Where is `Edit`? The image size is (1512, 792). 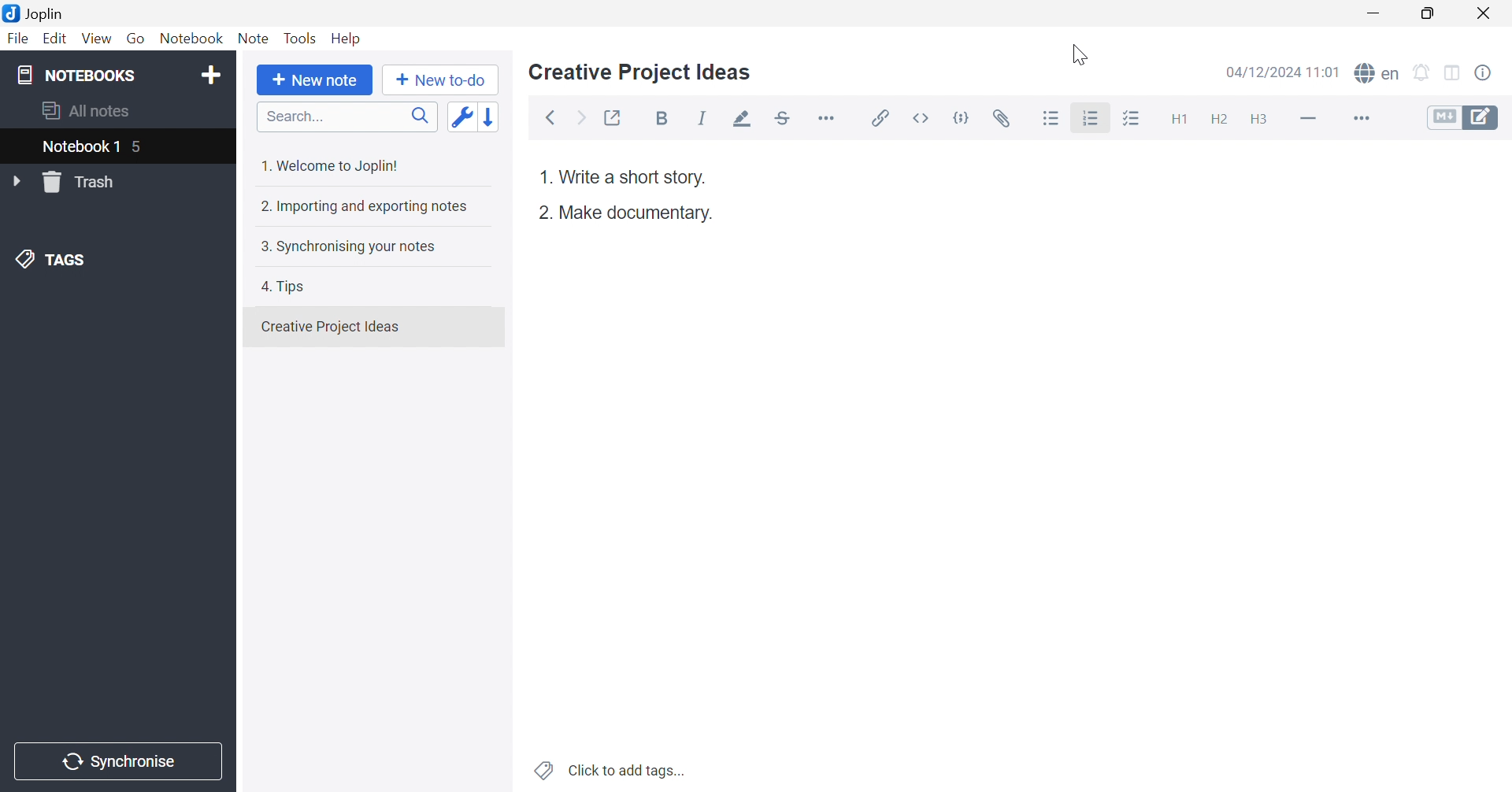 Edit is located at coordinates (56, 41).